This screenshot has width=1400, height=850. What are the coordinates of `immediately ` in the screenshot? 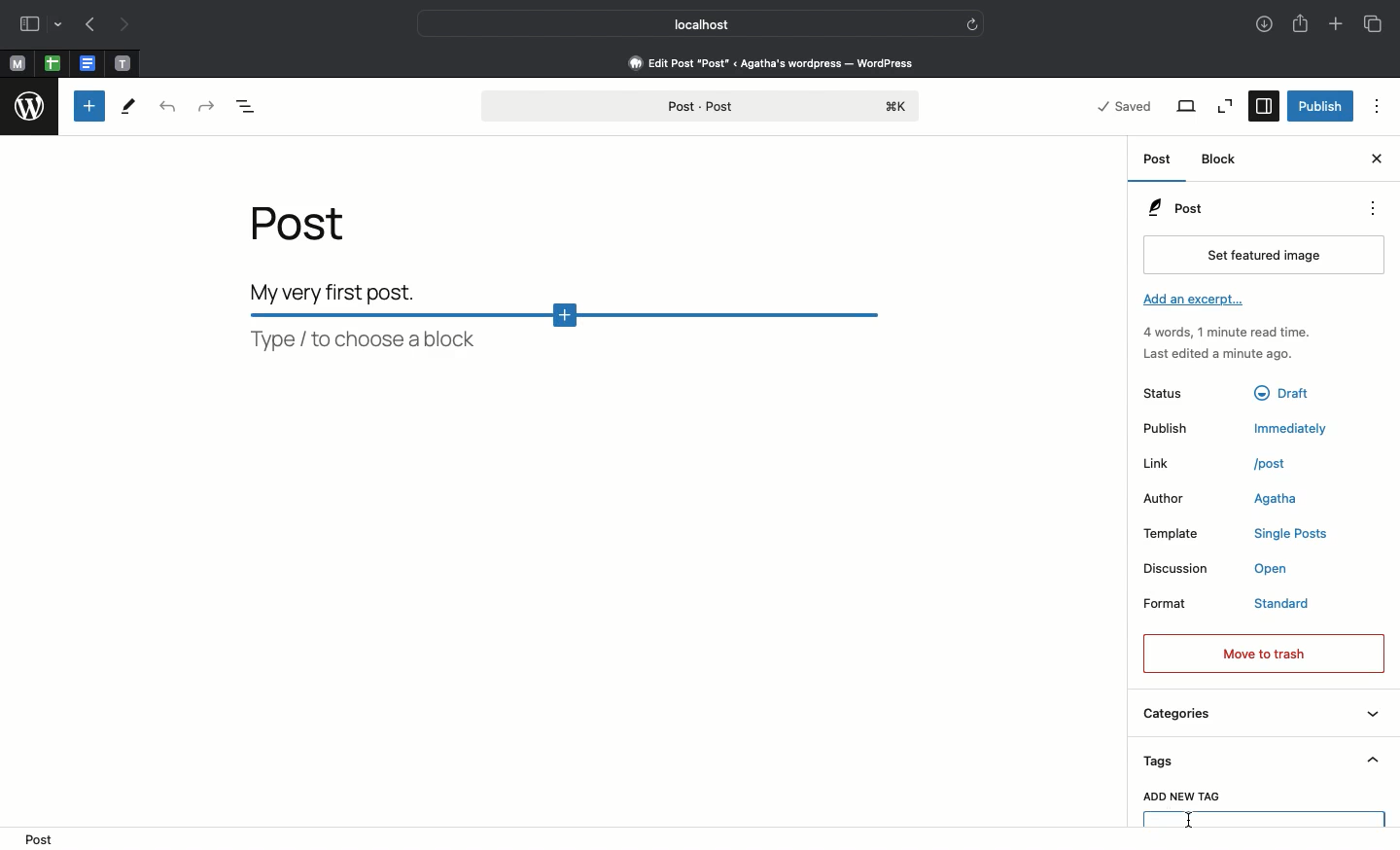 It's located at (1293, 429).